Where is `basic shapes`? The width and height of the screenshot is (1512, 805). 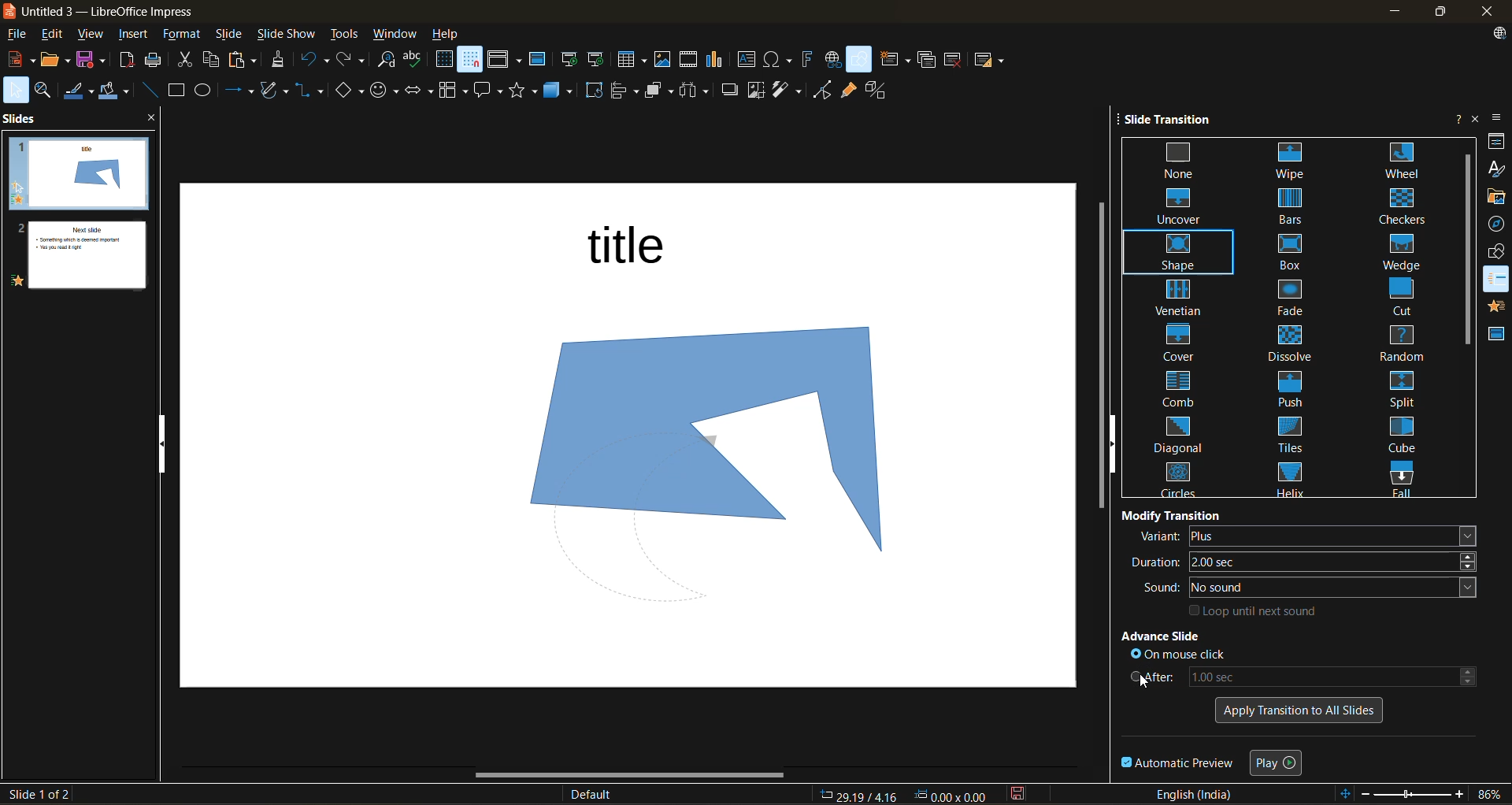 basic shapes is located at coordinates (350, 89).